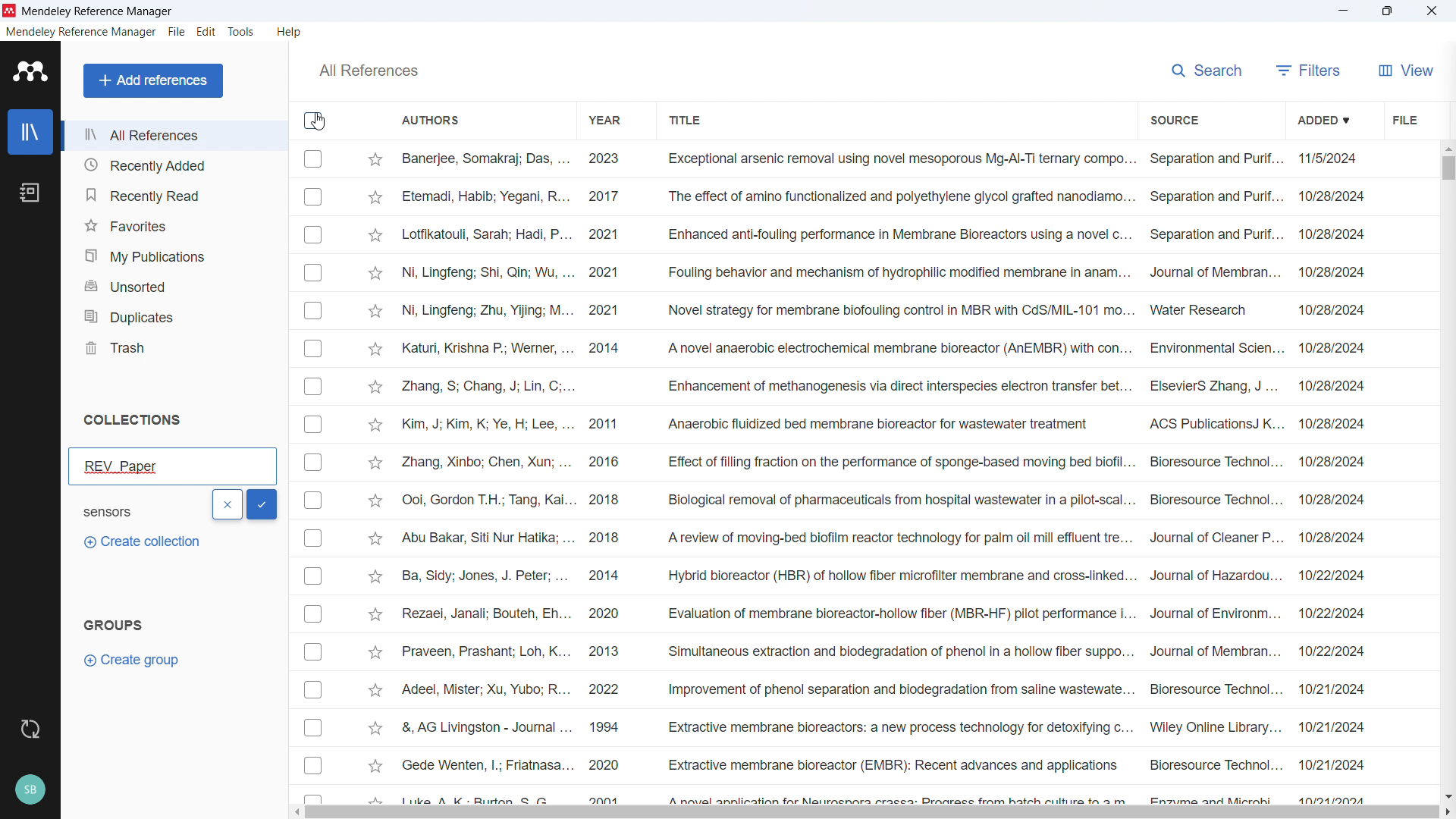 The width and height of the screenshot is (1456, 819). I want to click on maximise , so click(1390, 11).